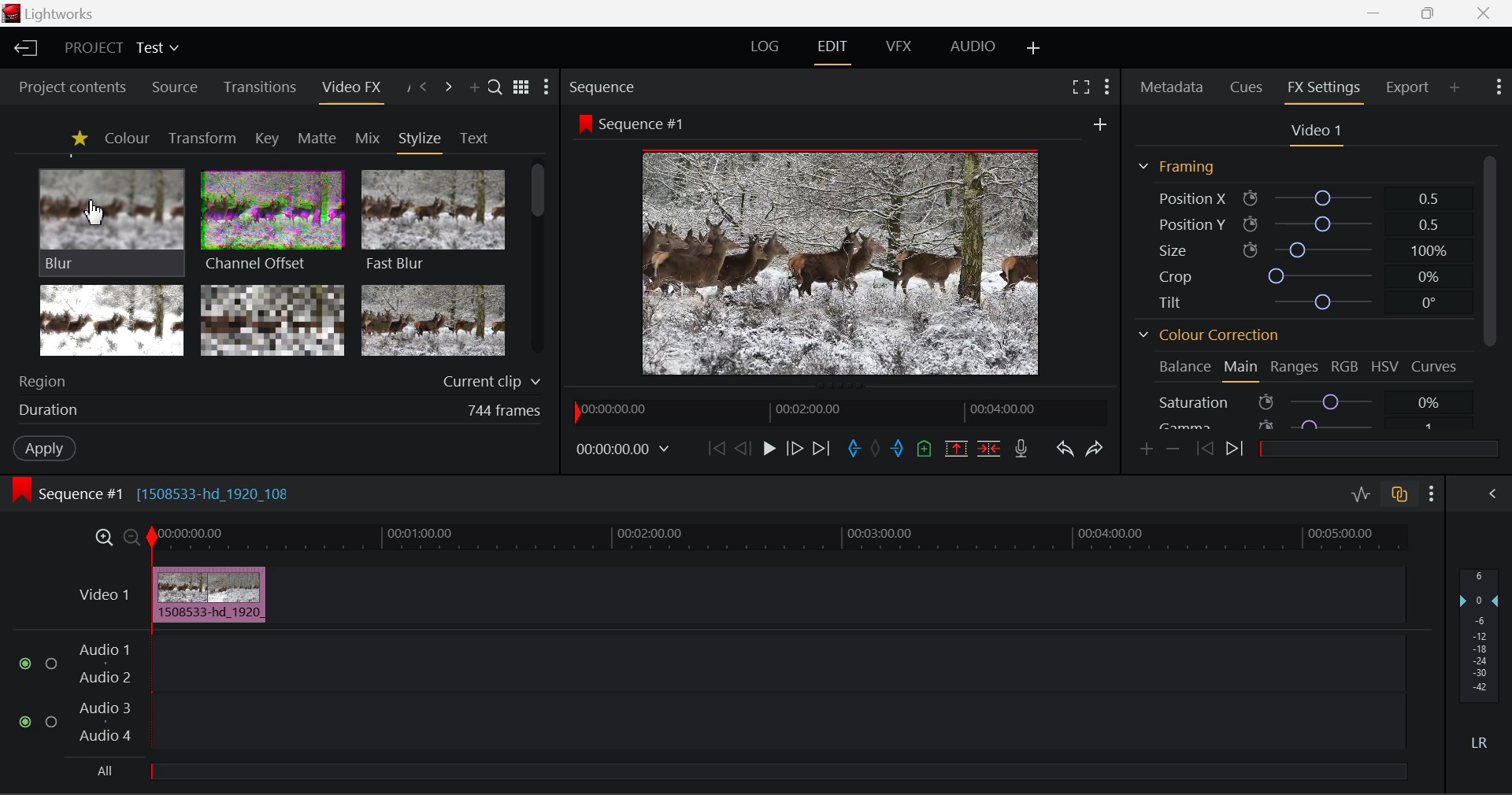 The height and width of the screenshot is (795, 1512). Describe the element at coordinates (1482, 13) in the screenshot. I see `Close` at that location.